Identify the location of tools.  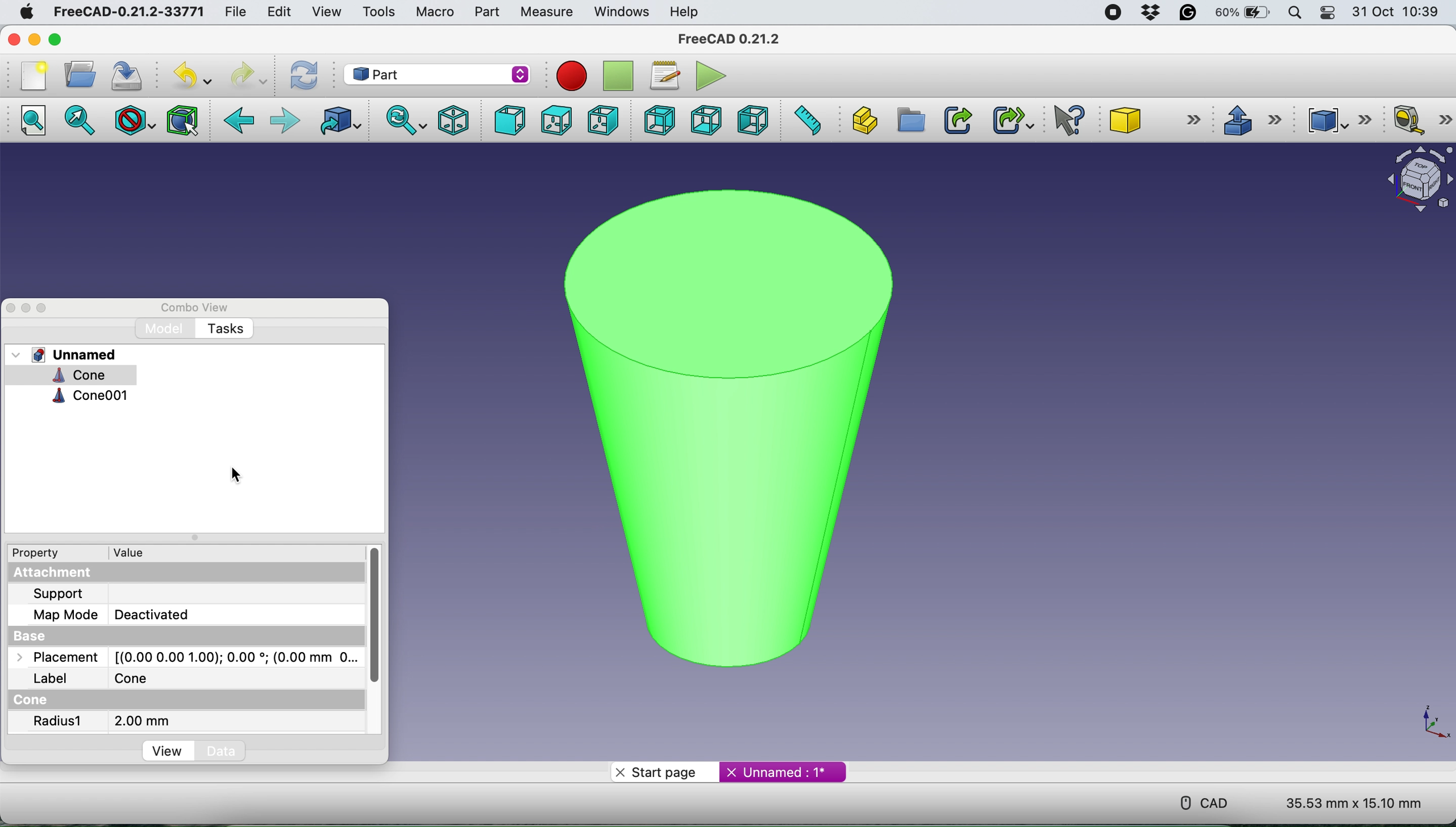
(379, 12).